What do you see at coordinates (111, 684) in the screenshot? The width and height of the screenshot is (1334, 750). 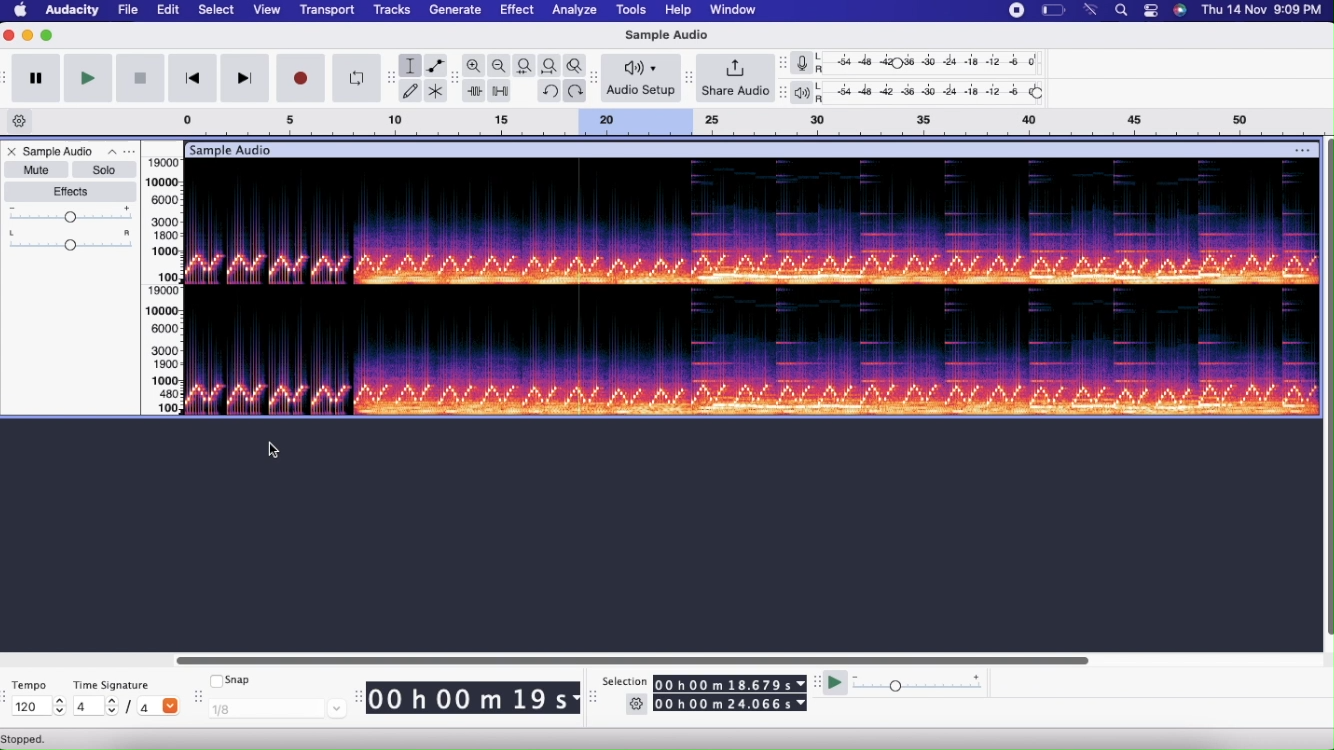 I see `Time Signature` at bounding box center [111, 684].